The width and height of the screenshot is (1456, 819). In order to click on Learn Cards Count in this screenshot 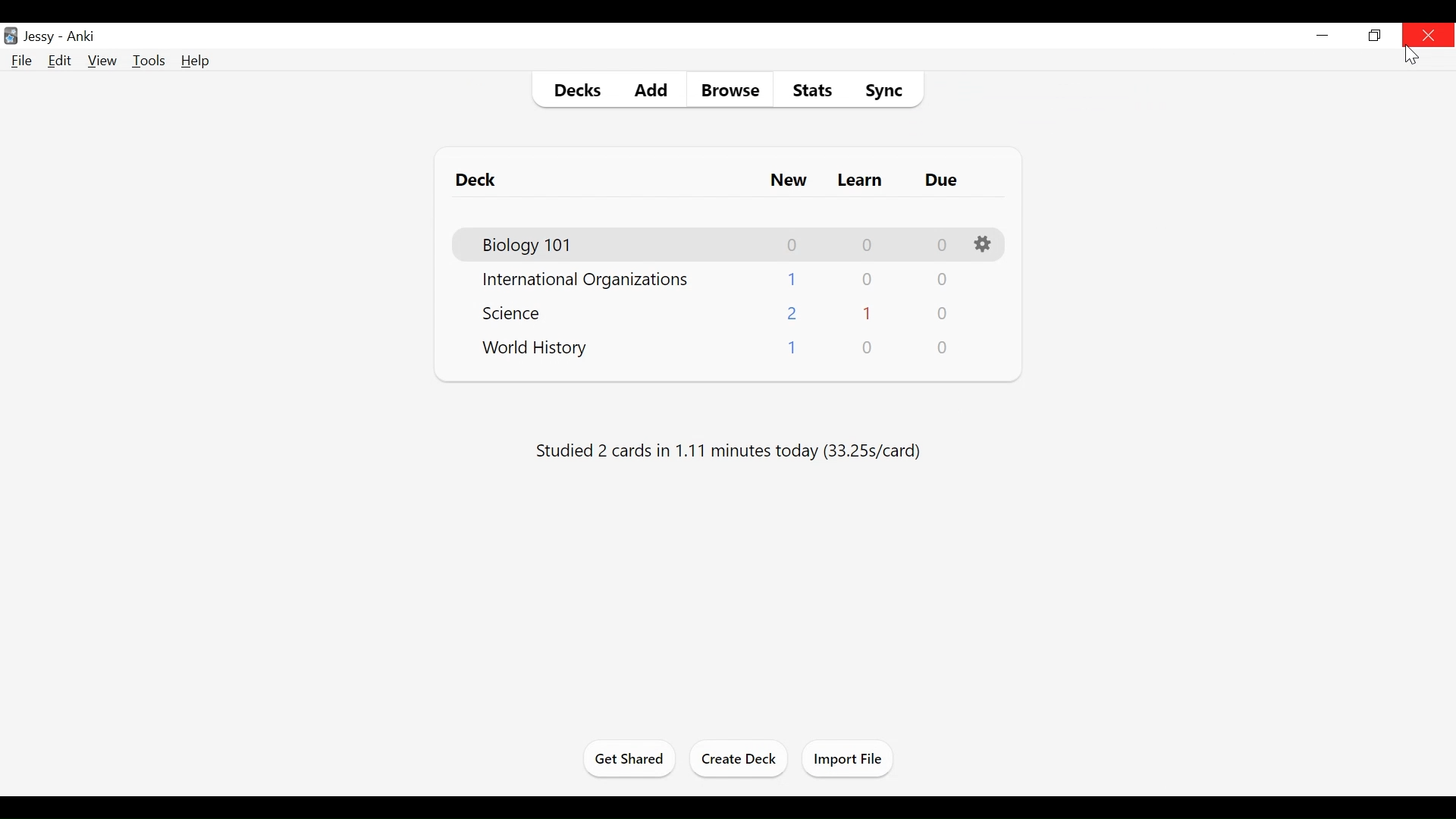, I will do `click(868, 314)`.